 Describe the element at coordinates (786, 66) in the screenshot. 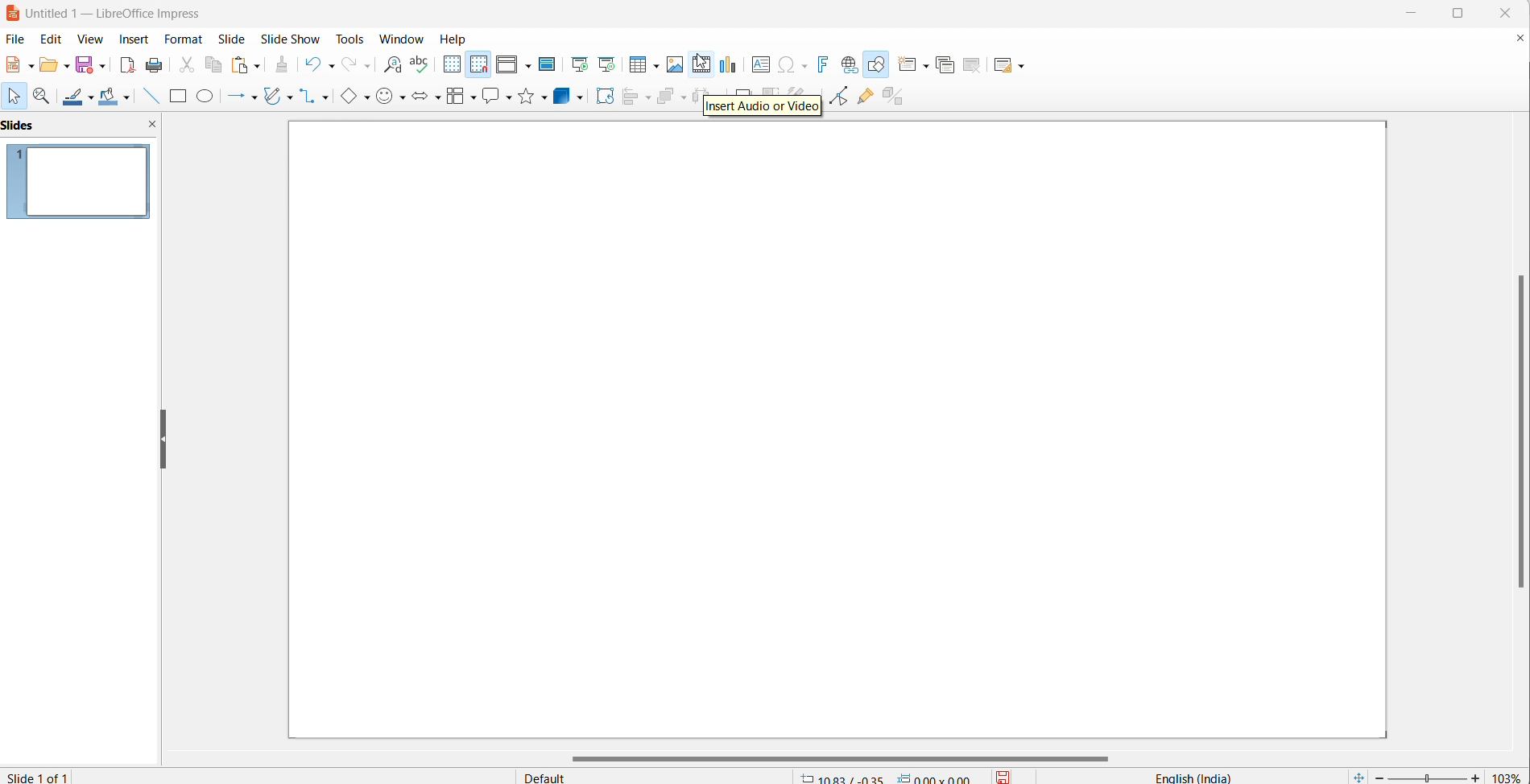

I see `insert special characters` at that location.